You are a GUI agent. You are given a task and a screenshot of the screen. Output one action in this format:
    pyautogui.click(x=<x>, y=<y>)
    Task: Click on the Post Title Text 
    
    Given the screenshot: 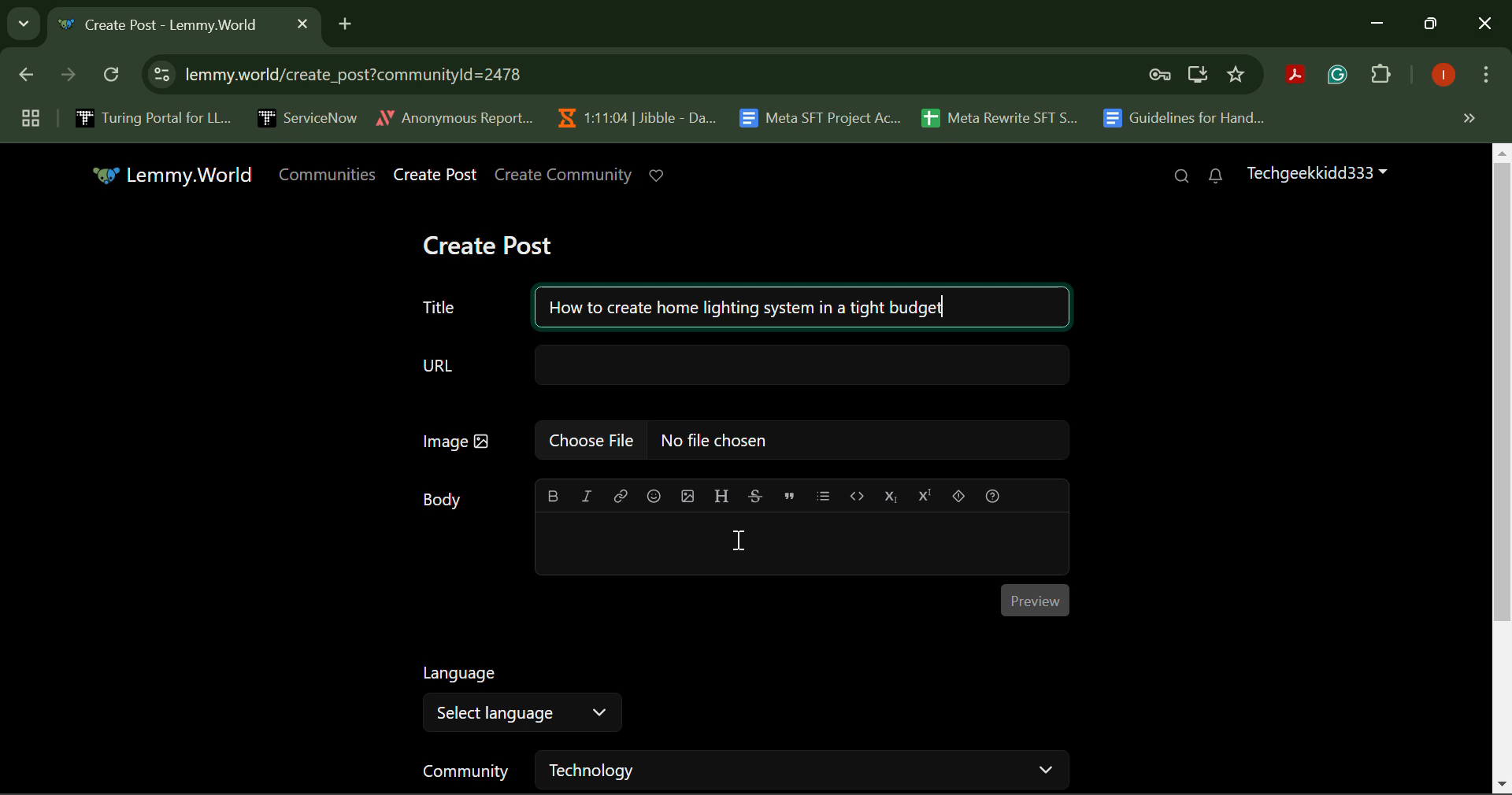 What is the action you would take?
    pyautogui.click(x=736, y=304)
    